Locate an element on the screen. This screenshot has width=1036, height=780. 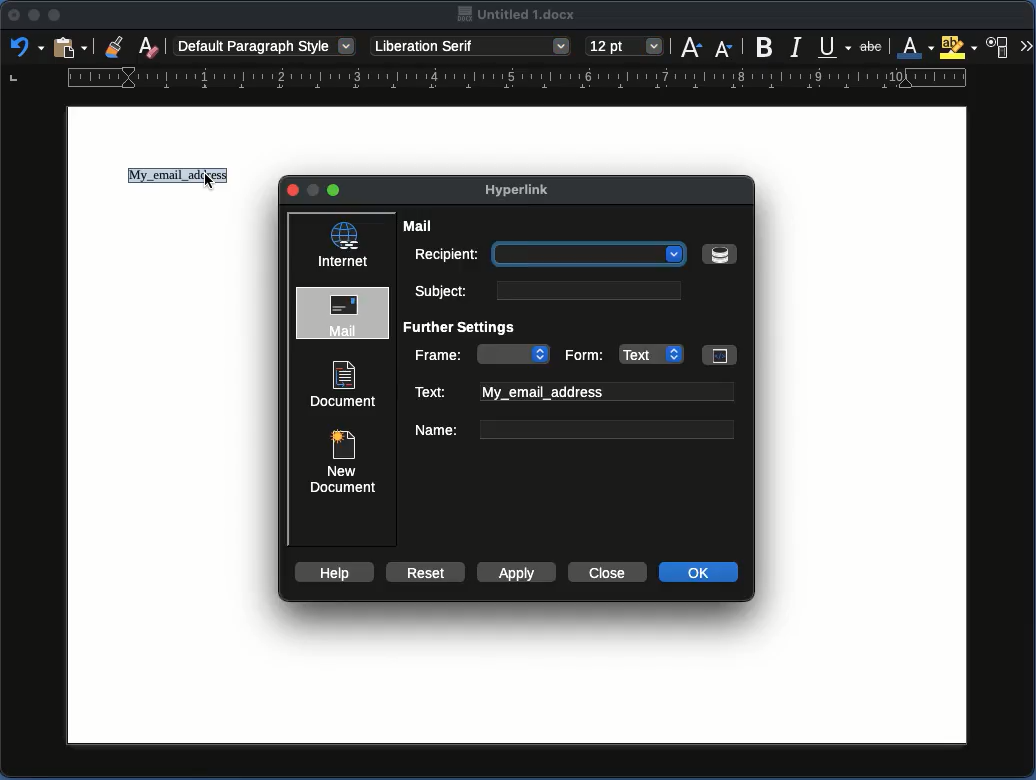
cursor is located at coordinates (211, 184).